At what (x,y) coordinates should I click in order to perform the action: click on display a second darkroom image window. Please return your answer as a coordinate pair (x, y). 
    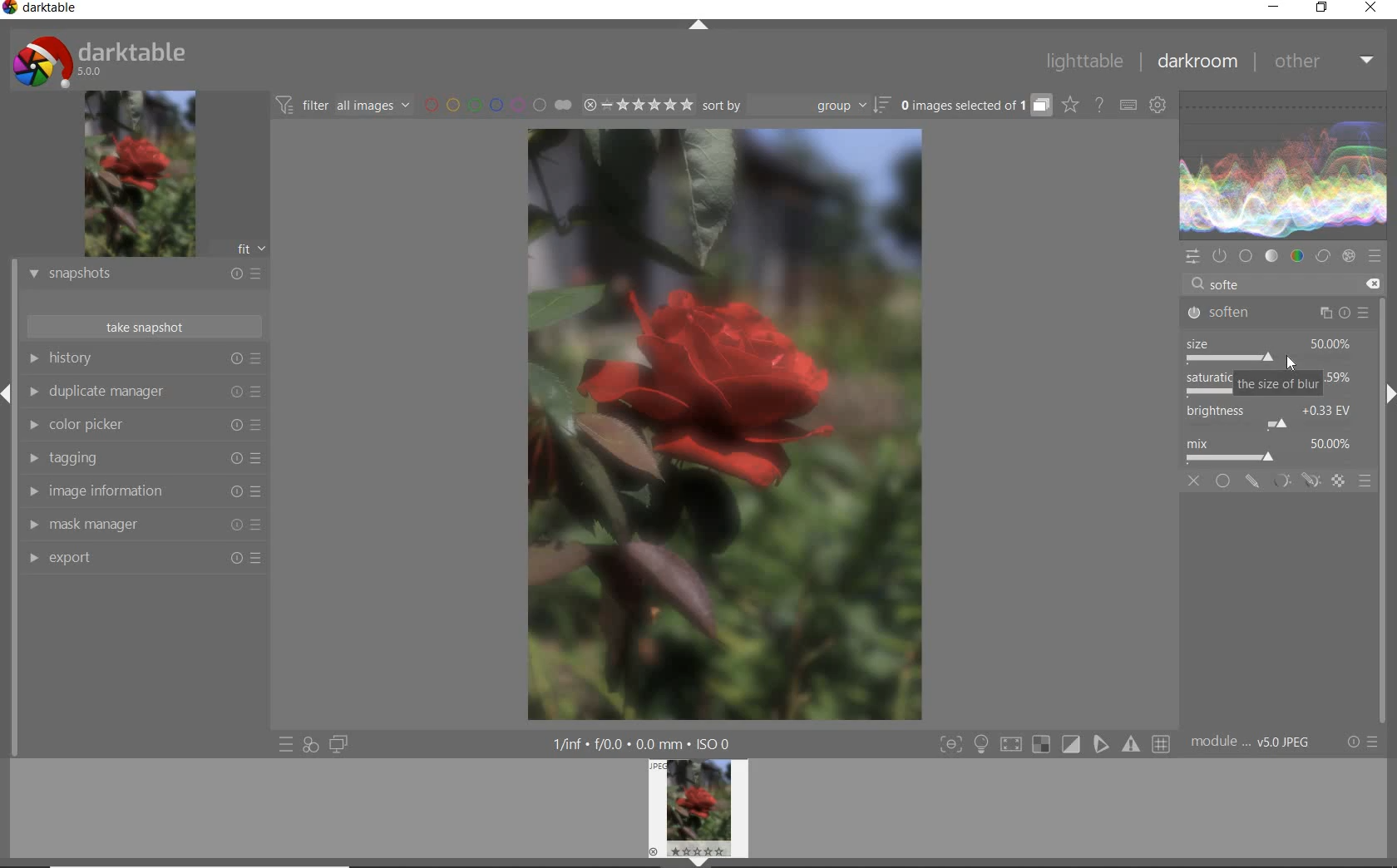
    Looking at the image, I should click on (338, 745).